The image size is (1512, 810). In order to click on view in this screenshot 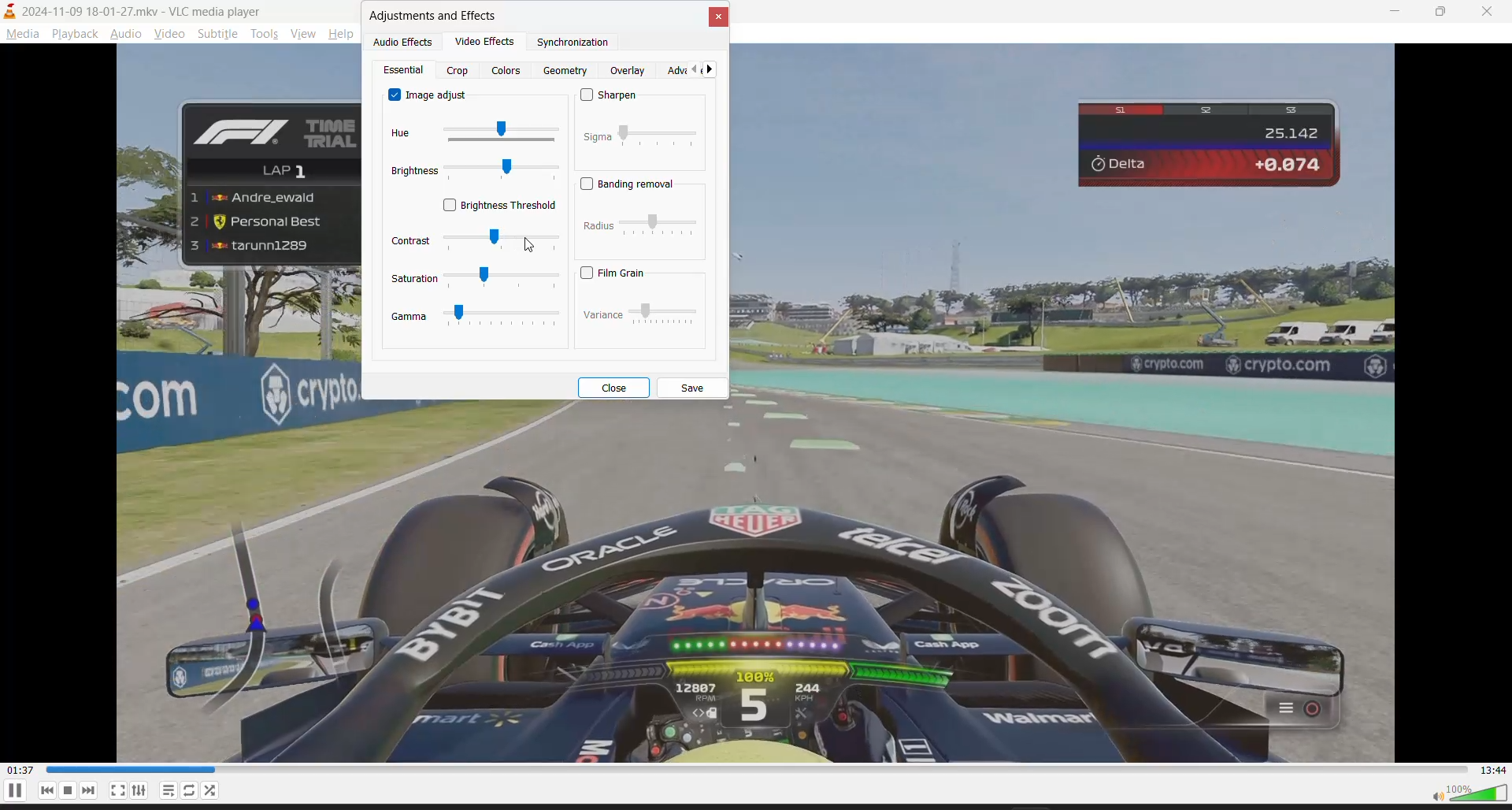, I will do `click(302, 35)`.